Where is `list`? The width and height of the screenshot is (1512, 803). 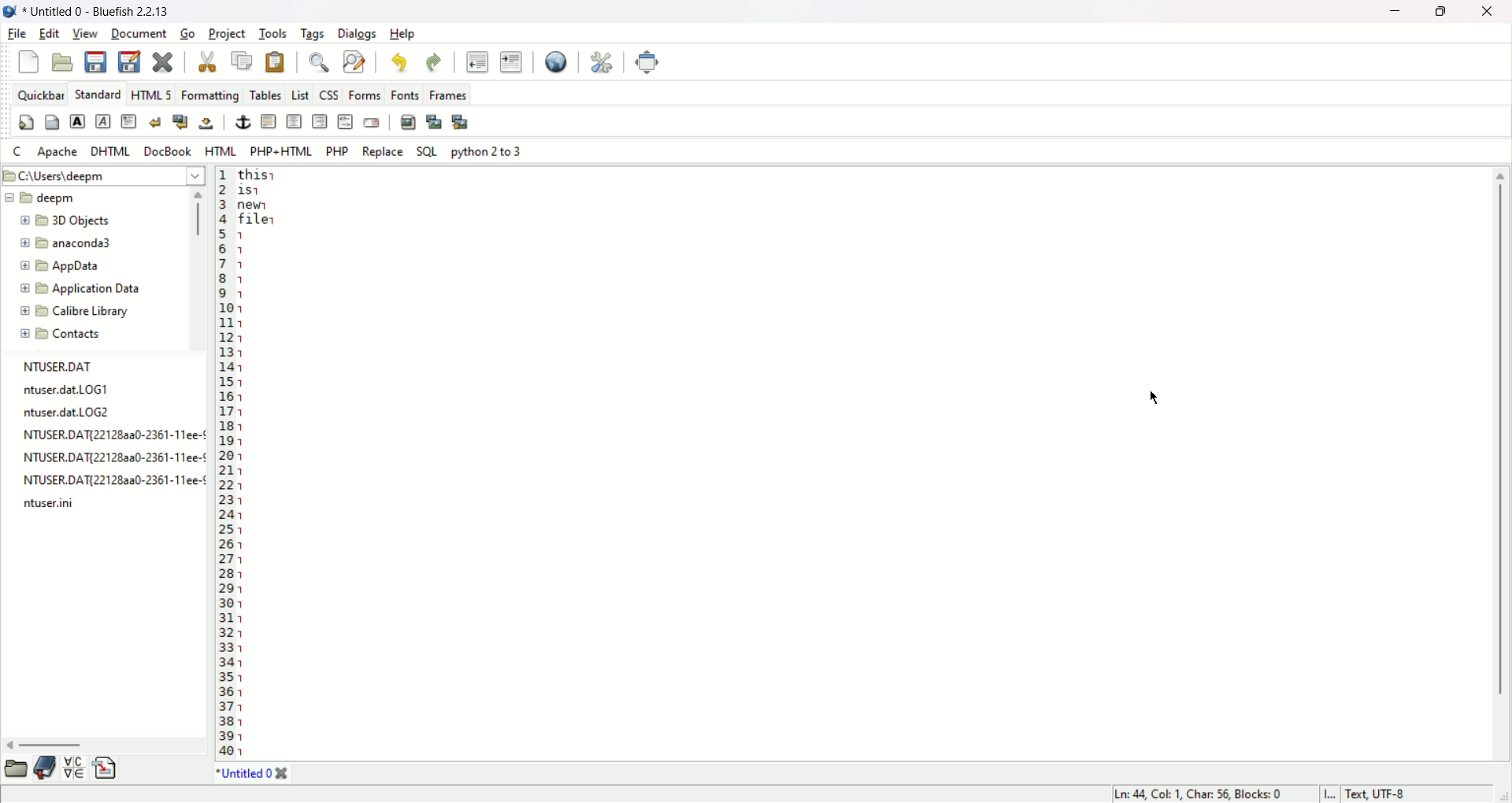 list is located at coordinates (300, 94).